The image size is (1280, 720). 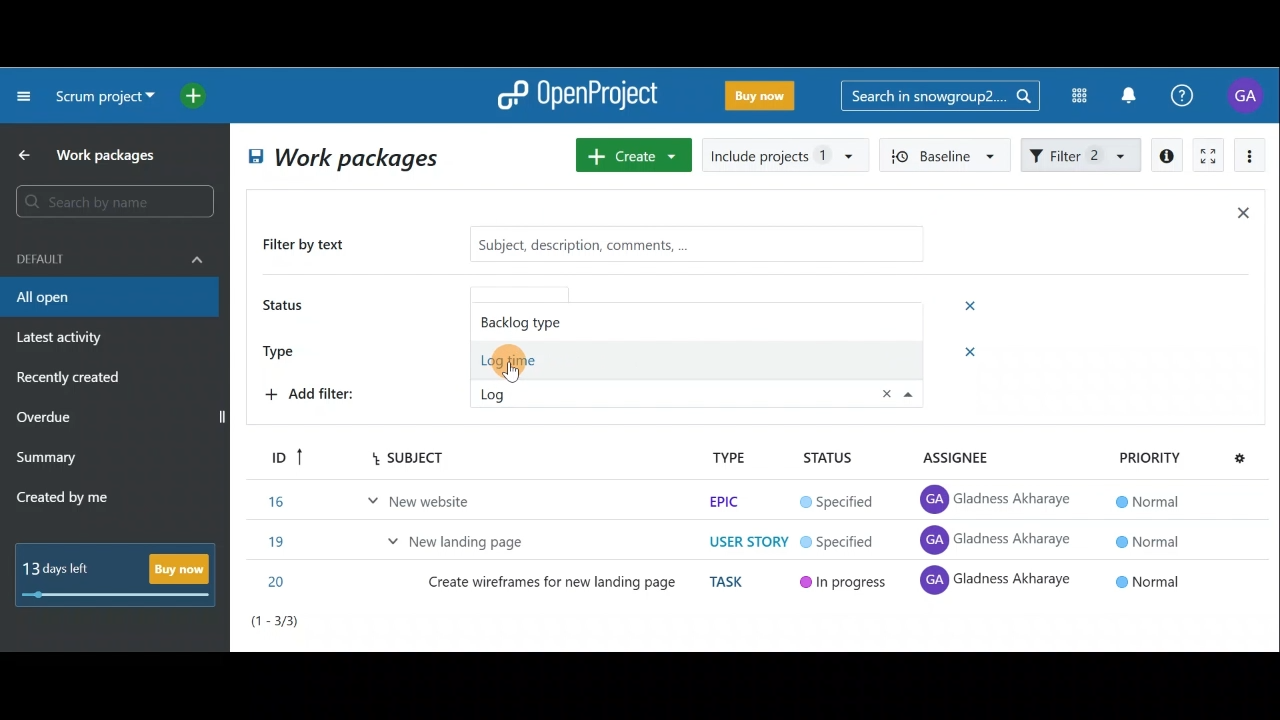 I want to click on priority, so click(x=1149, y=457).